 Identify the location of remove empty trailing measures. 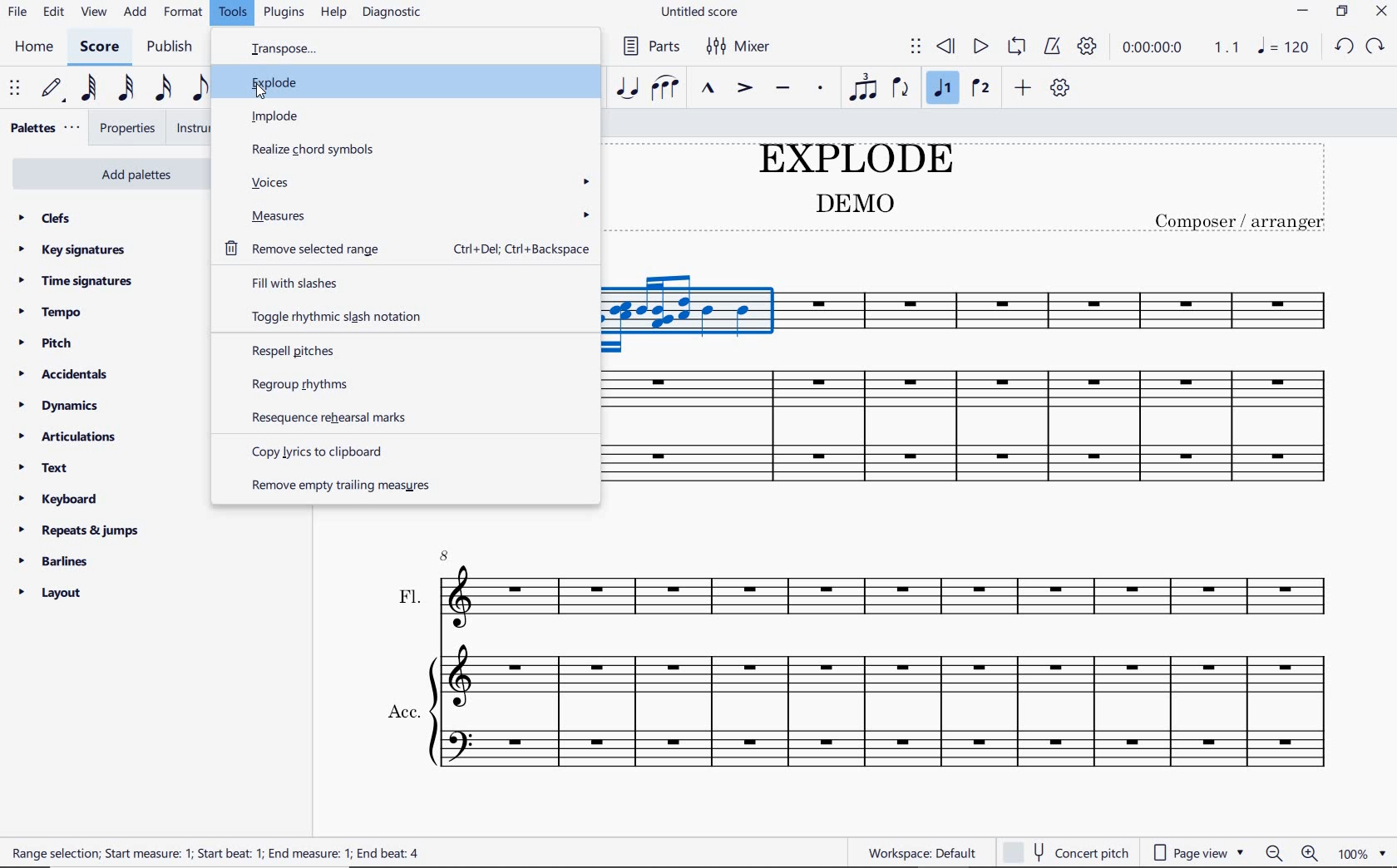
(343, 489).